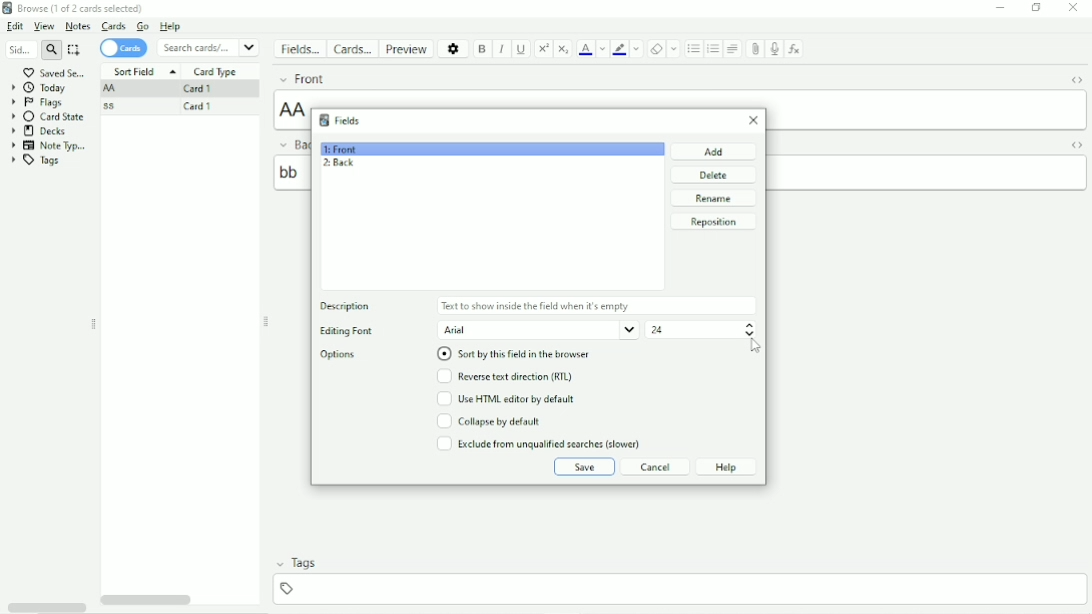 The image size is (1092, 614). Describe the element at coordinates (655, 48) in the screenshot. I see `Remove formatting` at that location.